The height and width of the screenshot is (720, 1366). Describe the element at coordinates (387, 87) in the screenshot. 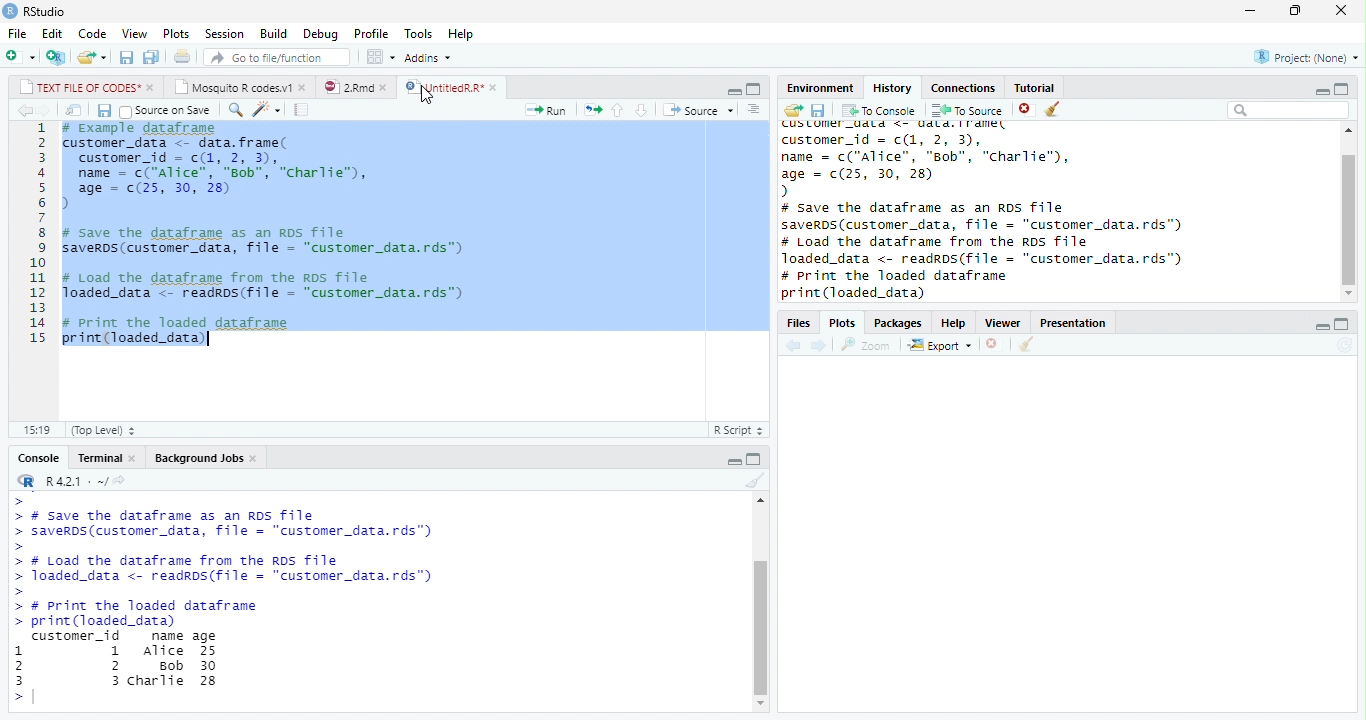

I see `close` at that location.